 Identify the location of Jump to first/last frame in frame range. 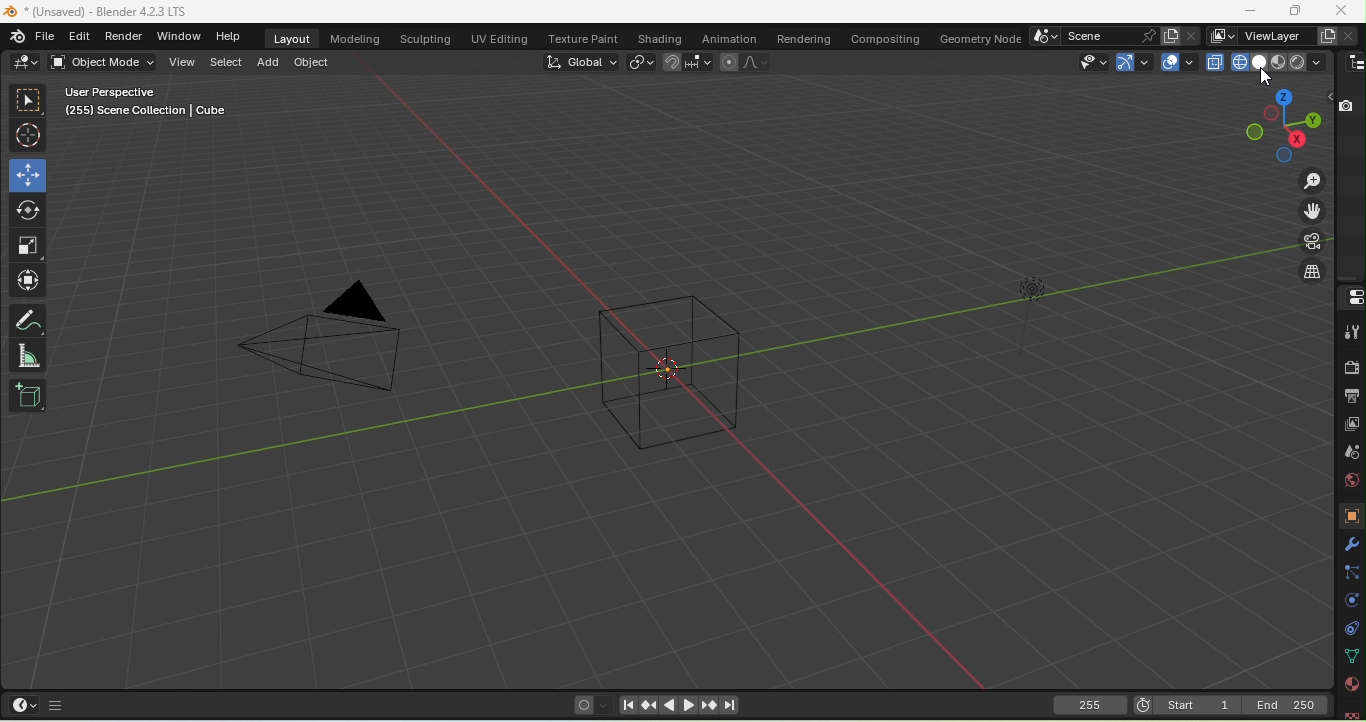
(627, 706).